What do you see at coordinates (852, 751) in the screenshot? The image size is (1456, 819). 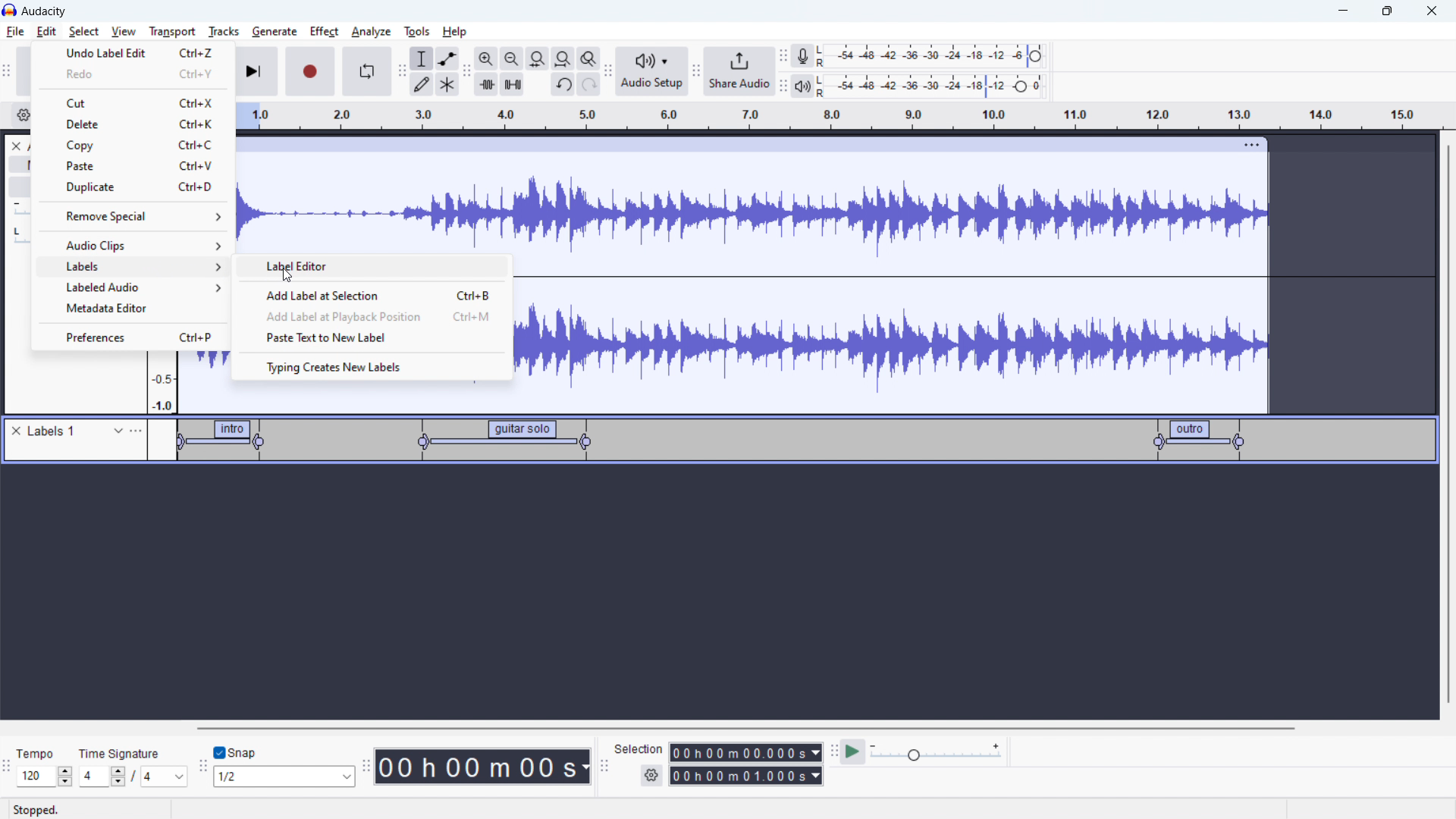 I see `play at speed` at bounding box center [852, 751].